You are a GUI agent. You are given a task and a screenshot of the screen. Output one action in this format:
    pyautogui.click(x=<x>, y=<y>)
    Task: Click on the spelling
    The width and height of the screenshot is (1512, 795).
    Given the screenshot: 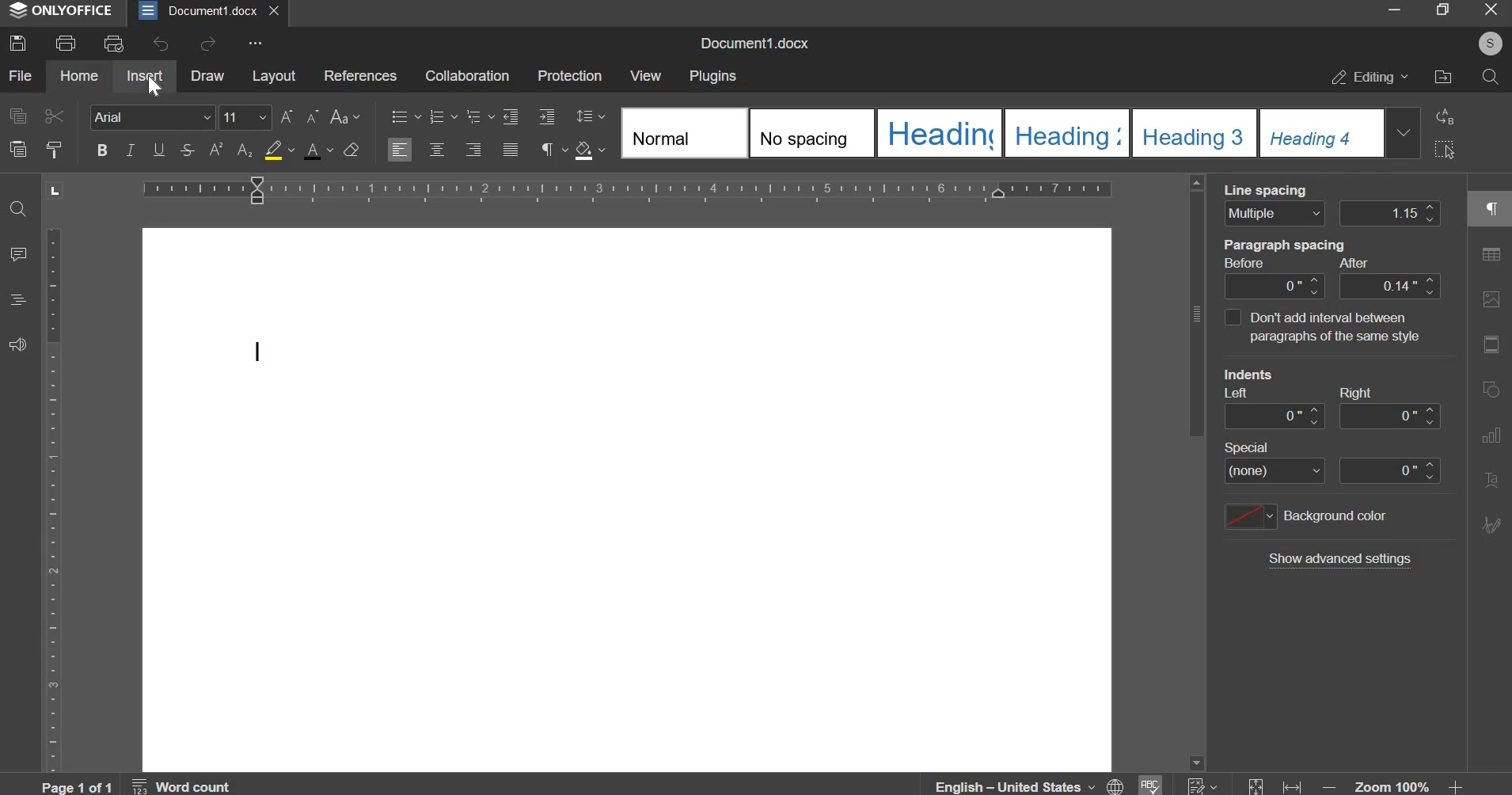 What is the action you would take?
    pyautogui.click(x=1149, y=785)
    